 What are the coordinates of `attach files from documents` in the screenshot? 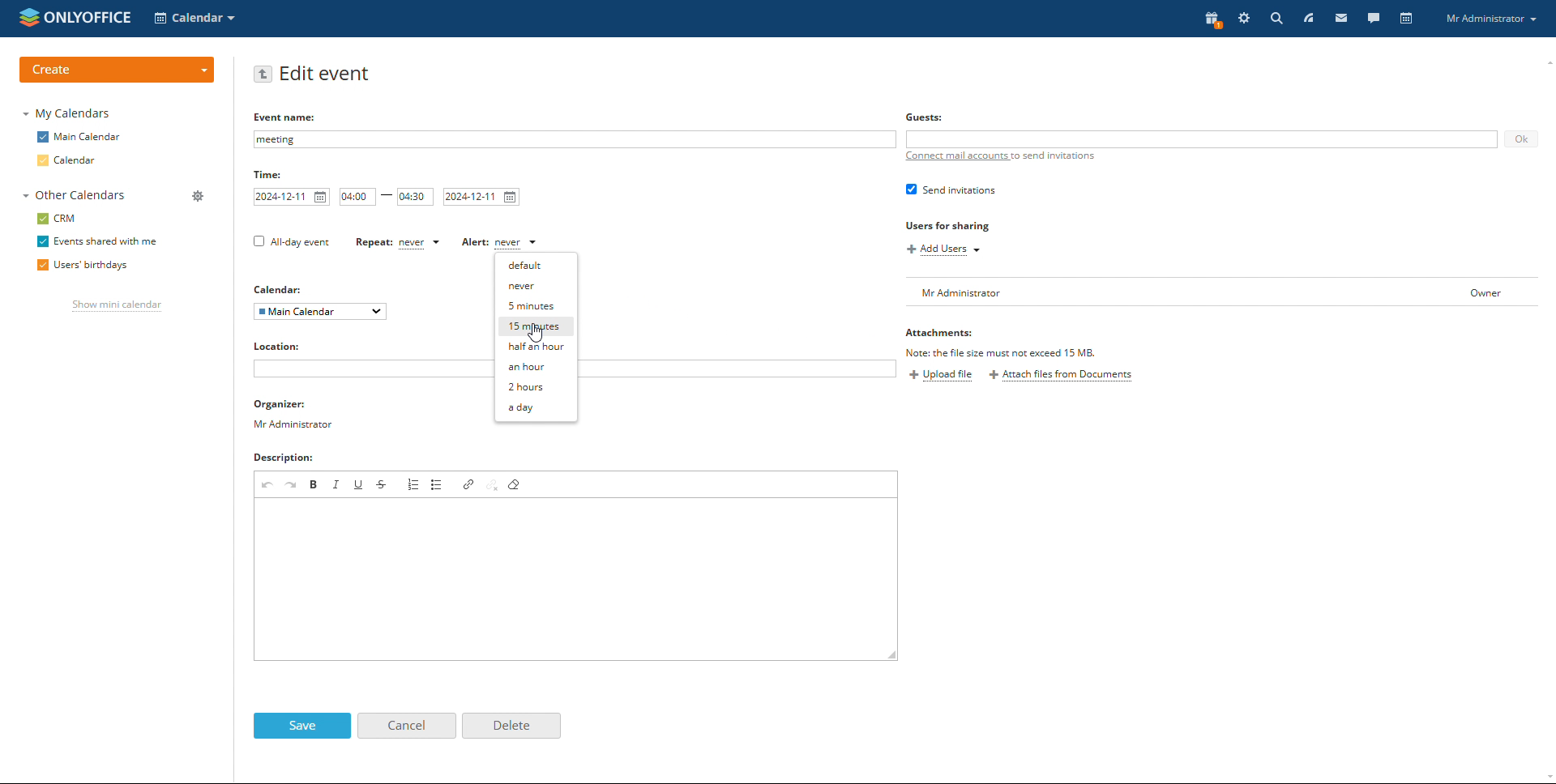 It's located at (1062, 376).